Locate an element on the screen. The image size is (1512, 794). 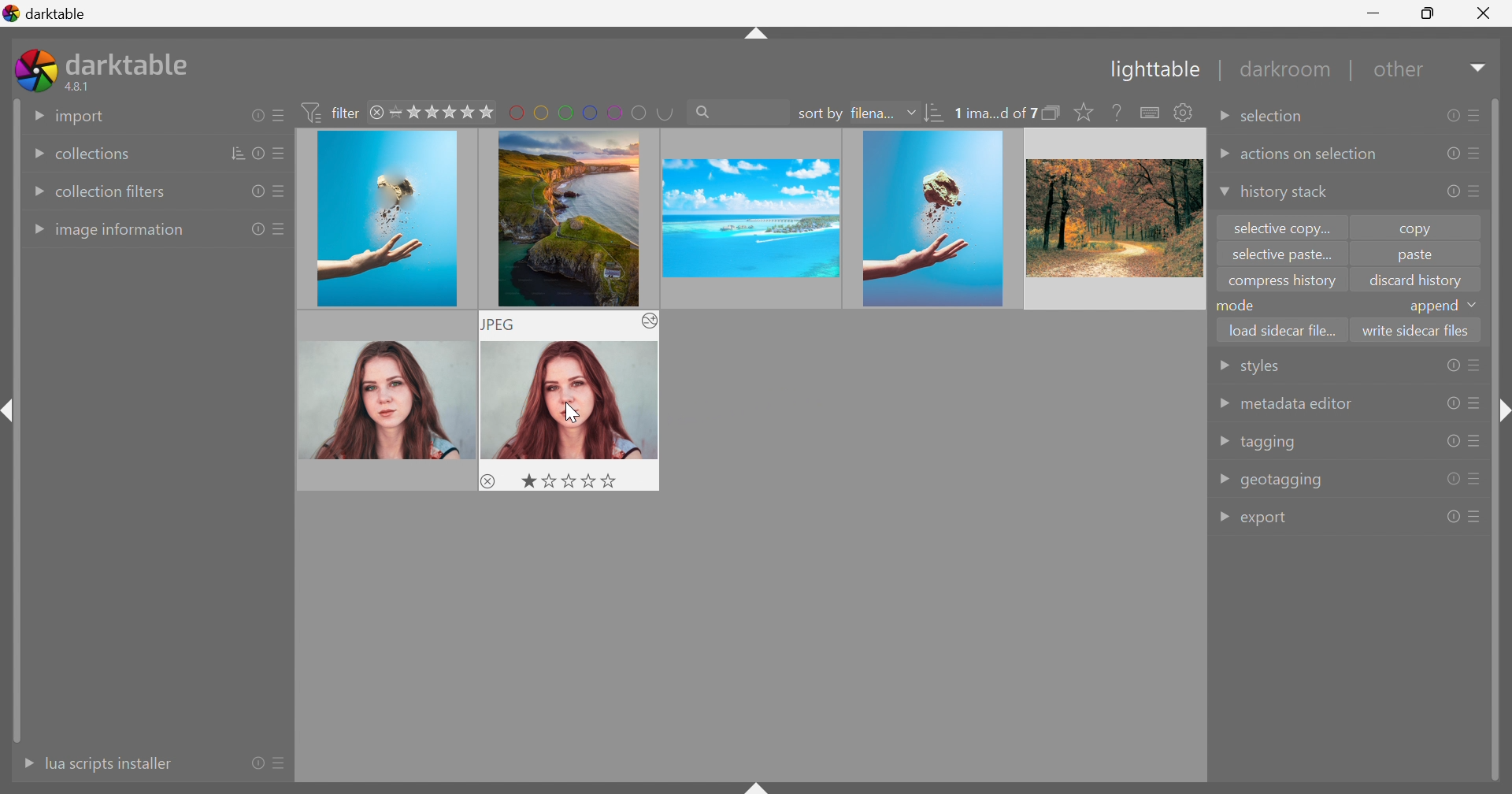
selective paste... is located at coordinates (1278, 256).